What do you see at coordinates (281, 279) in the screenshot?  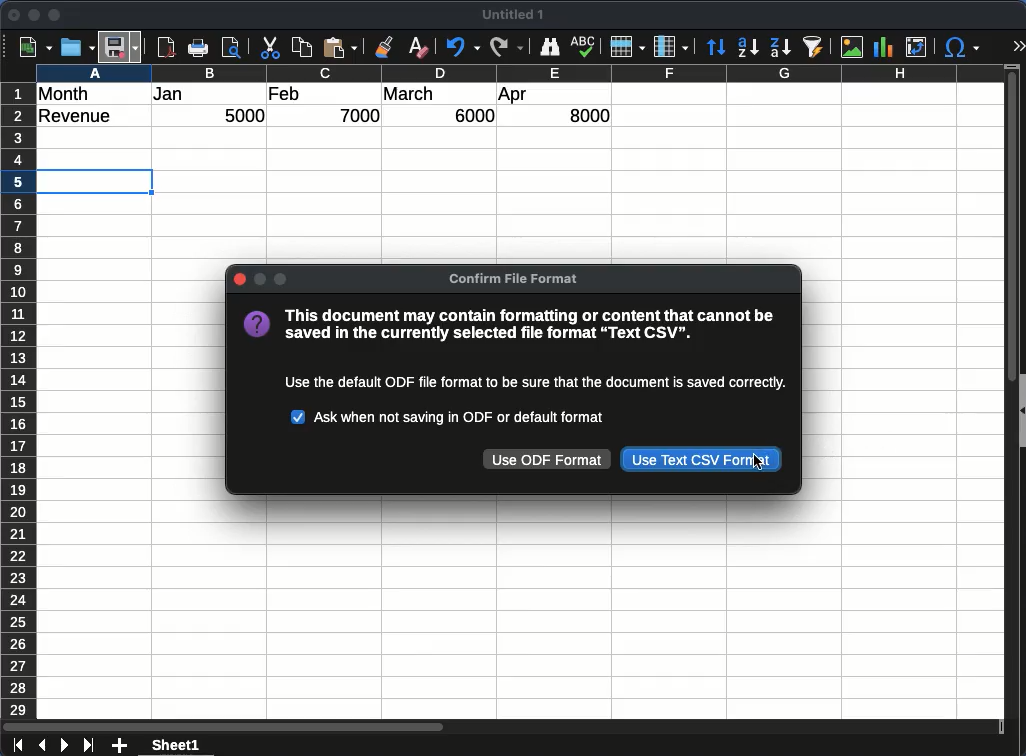 I see `Maximize` at bounding box center [281, 279].